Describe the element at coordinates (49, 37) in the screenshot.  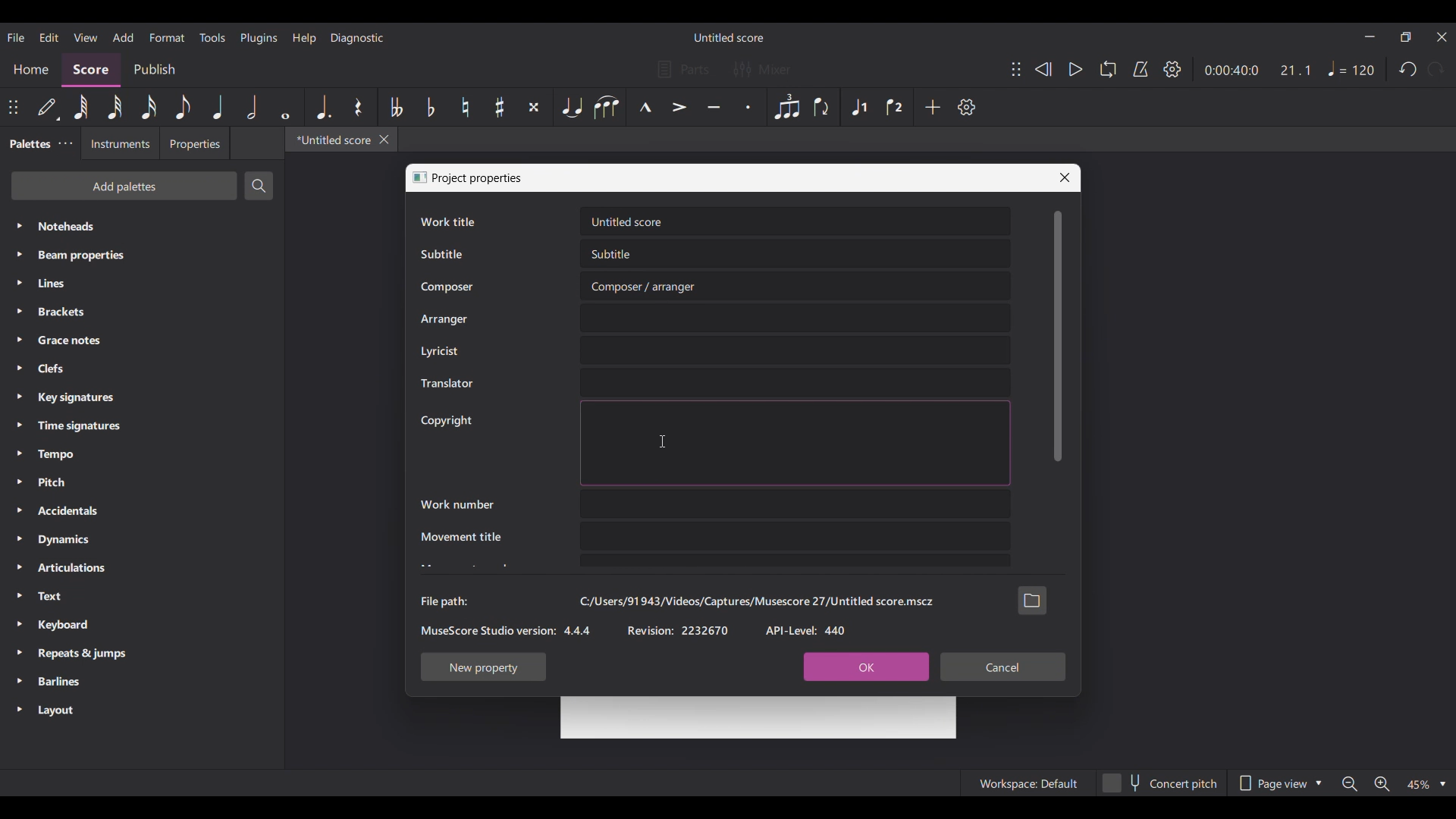
I see `Edit menu` at that location.